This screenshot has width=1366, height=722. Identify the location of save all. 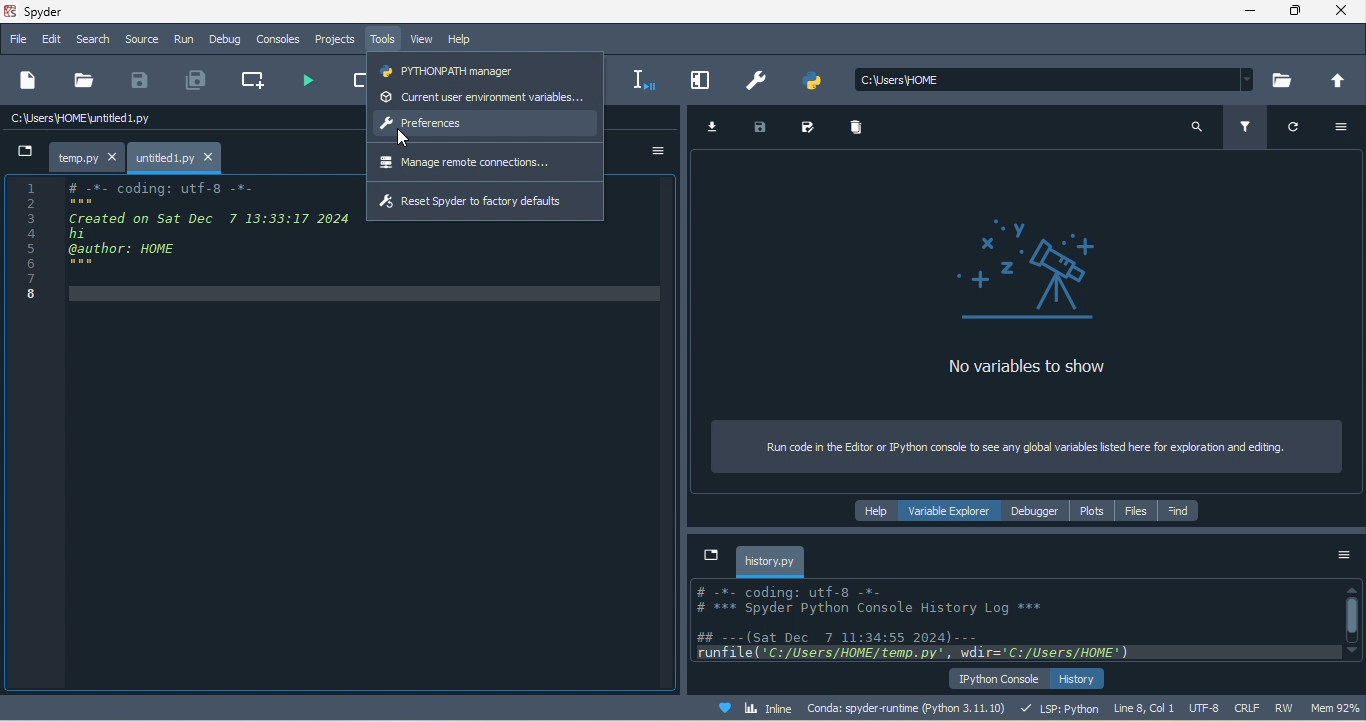
(202, 80).